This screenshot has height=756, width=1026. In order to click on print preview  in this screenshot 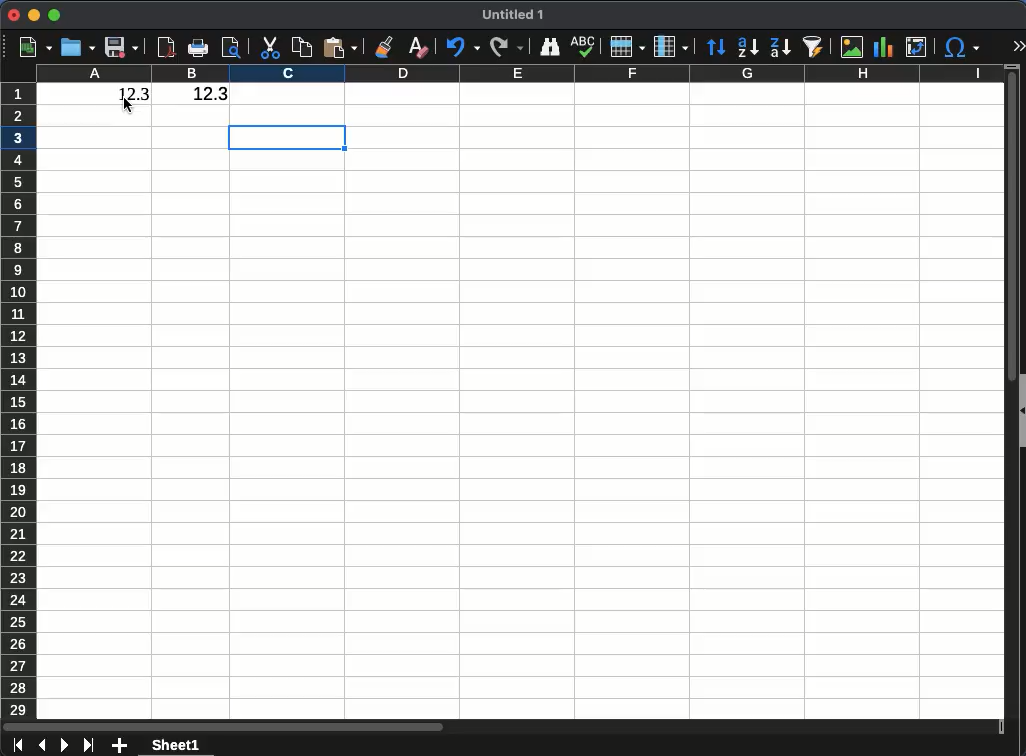, I will do `click(231, 49)`.